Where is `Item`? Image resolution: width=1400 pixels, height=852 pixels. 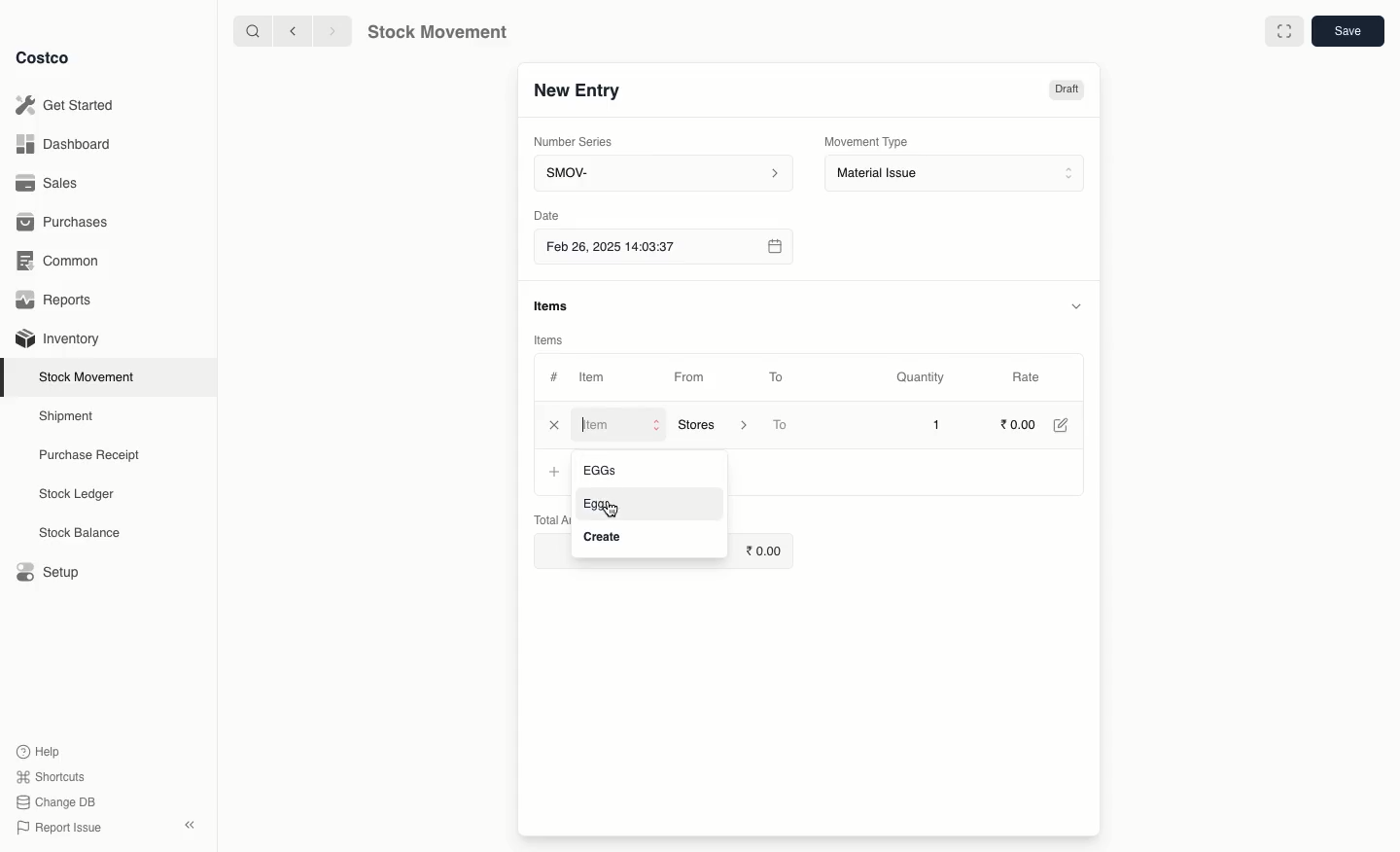 Item is located at coordinates (617, 424).